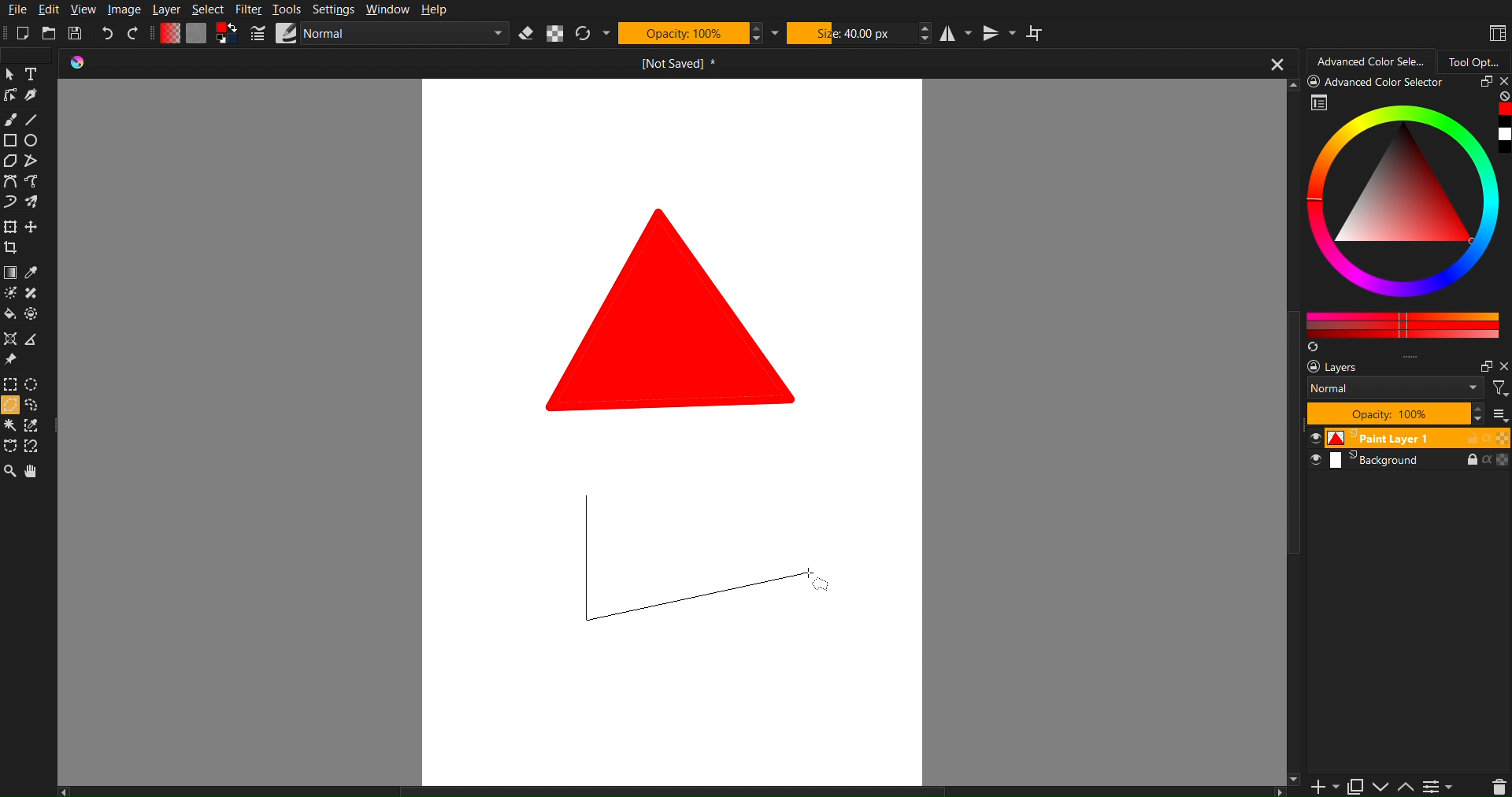  Describe the element at coordinates (1479, 60) in the screenshot. I see `Tool Options` at that location.